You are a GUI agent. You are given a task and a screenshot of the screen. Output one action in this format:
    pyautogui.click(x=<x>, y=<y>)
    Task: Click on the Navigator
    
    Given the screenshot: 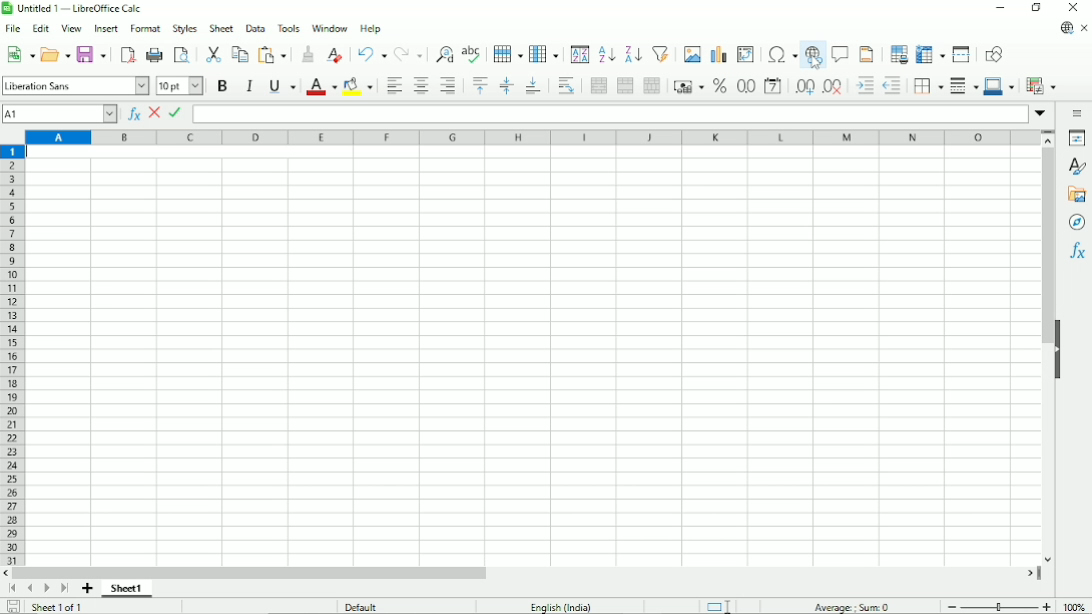 What is the action you would take?
    pyautogui.click(x=1077, y=222)
    